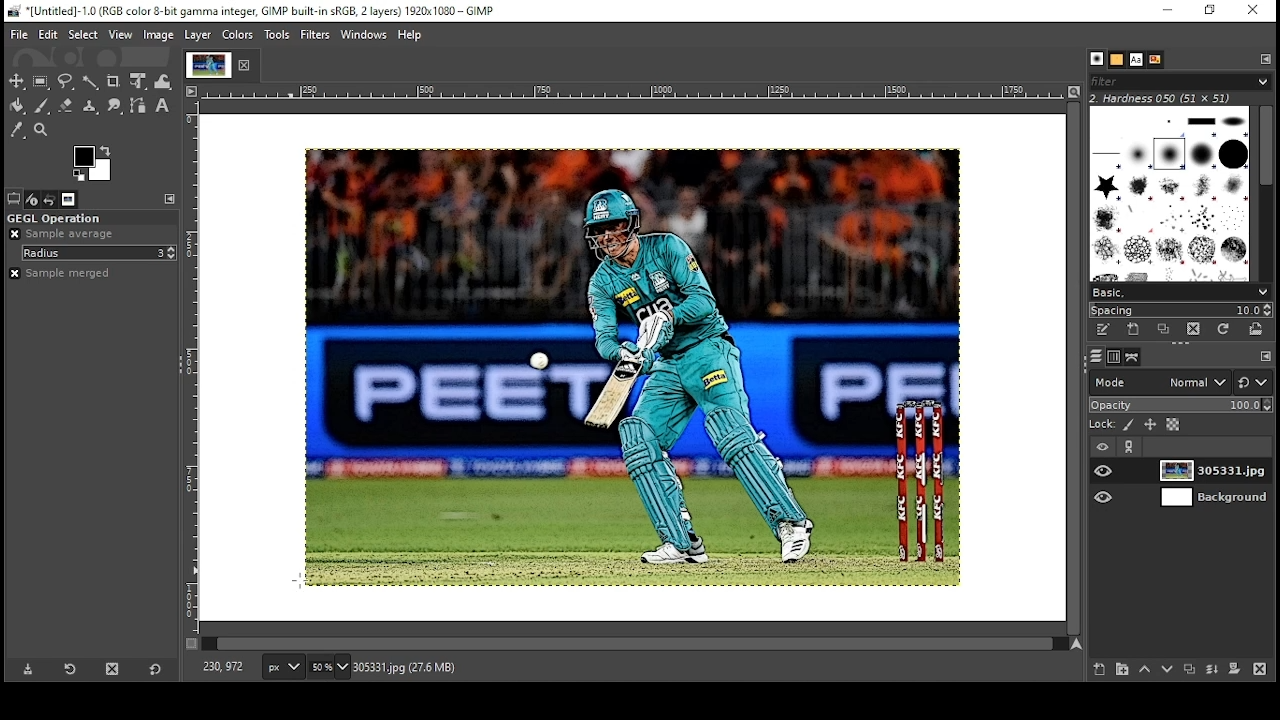 Image resolution: width=1280 pixels, height=720 pixels. I want to click on colors, so click(240, 35).